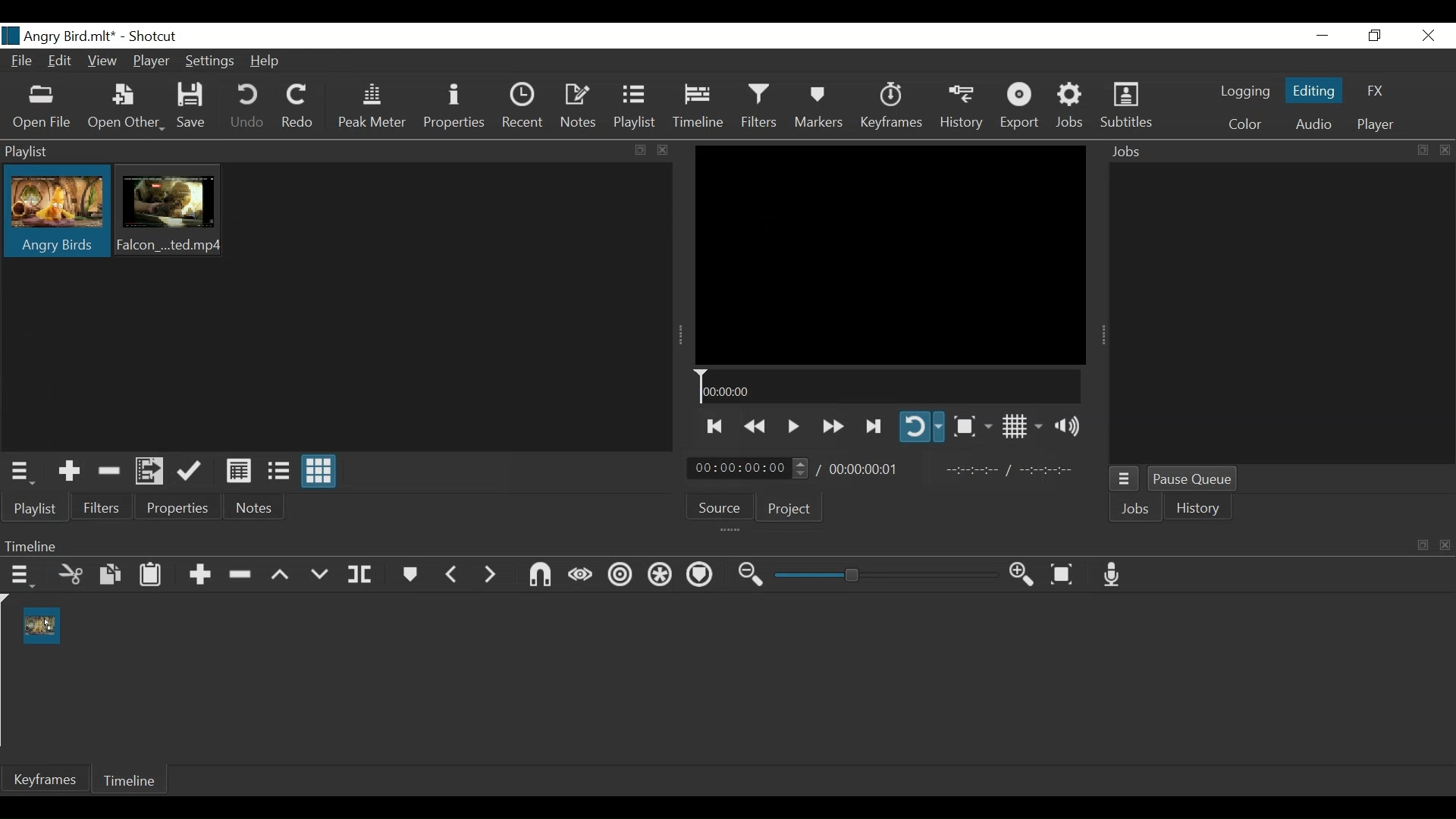  I want to click on Filters, so click(104, 509).